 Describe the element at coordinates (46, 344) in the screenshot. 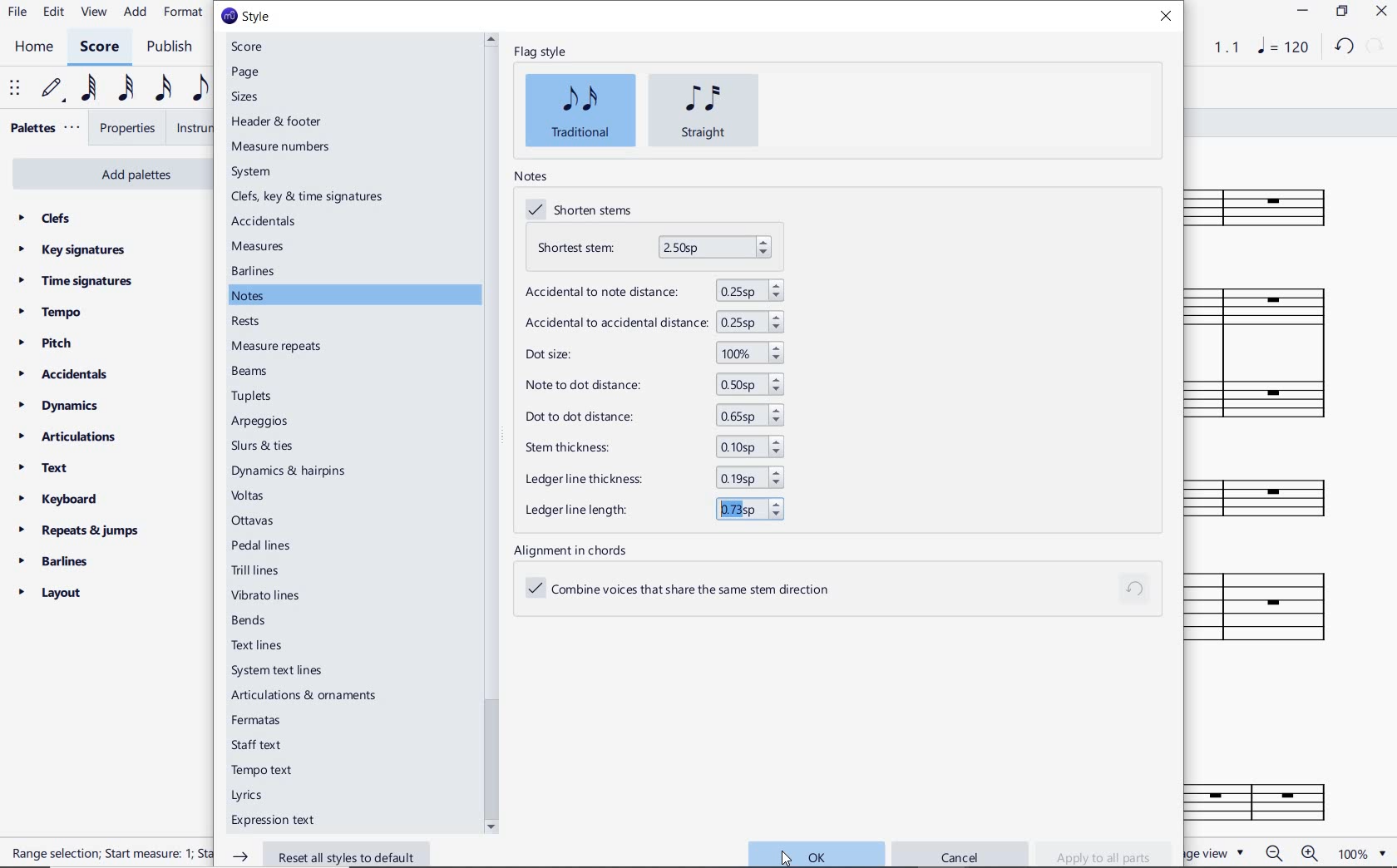

I see `pitch` at that location.